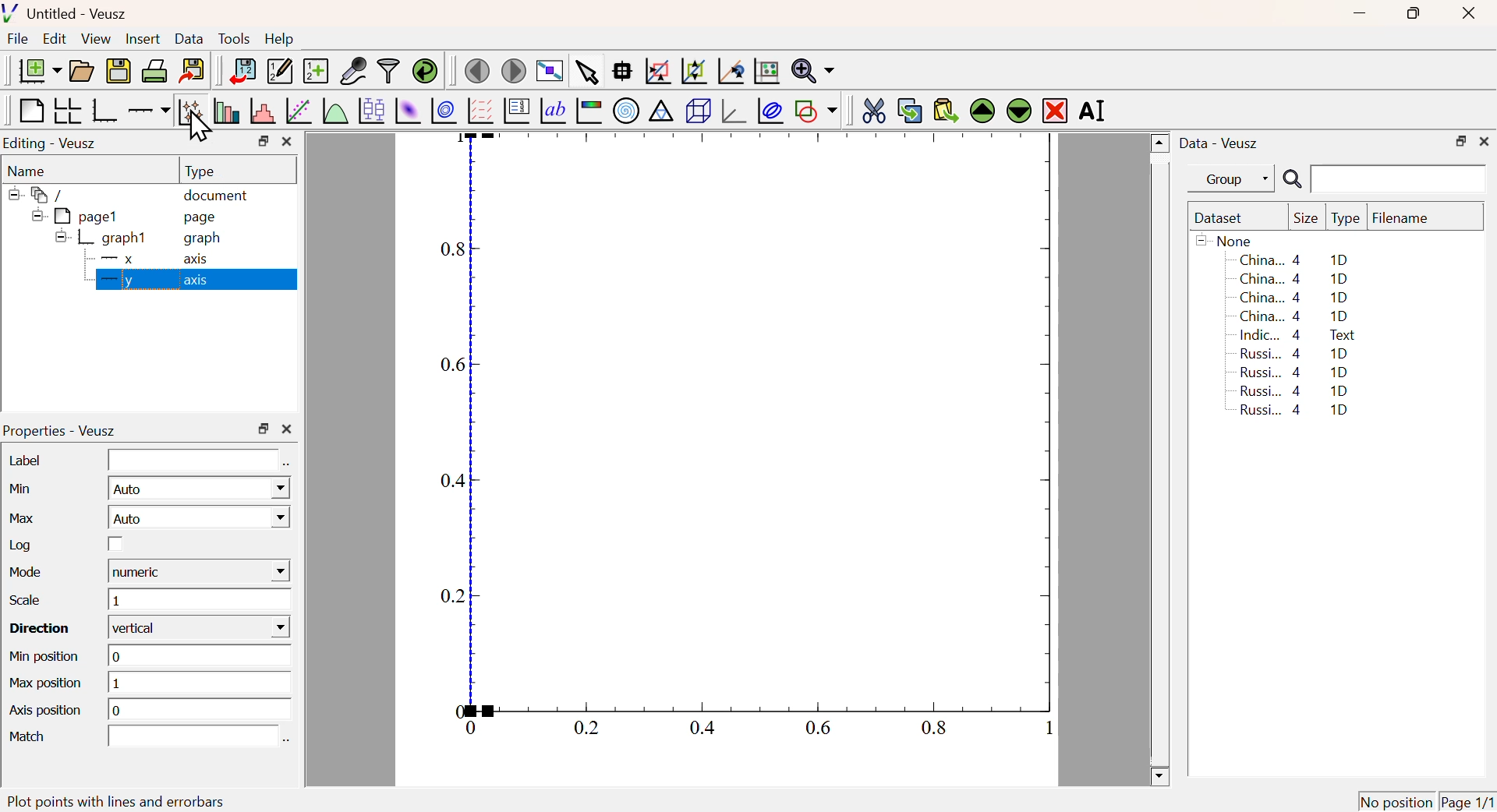 The height and width of the screenshot is (812, 1497). Describe the element at coordinates (1095, 110) in the screenshot. I see `Rename` at that location.